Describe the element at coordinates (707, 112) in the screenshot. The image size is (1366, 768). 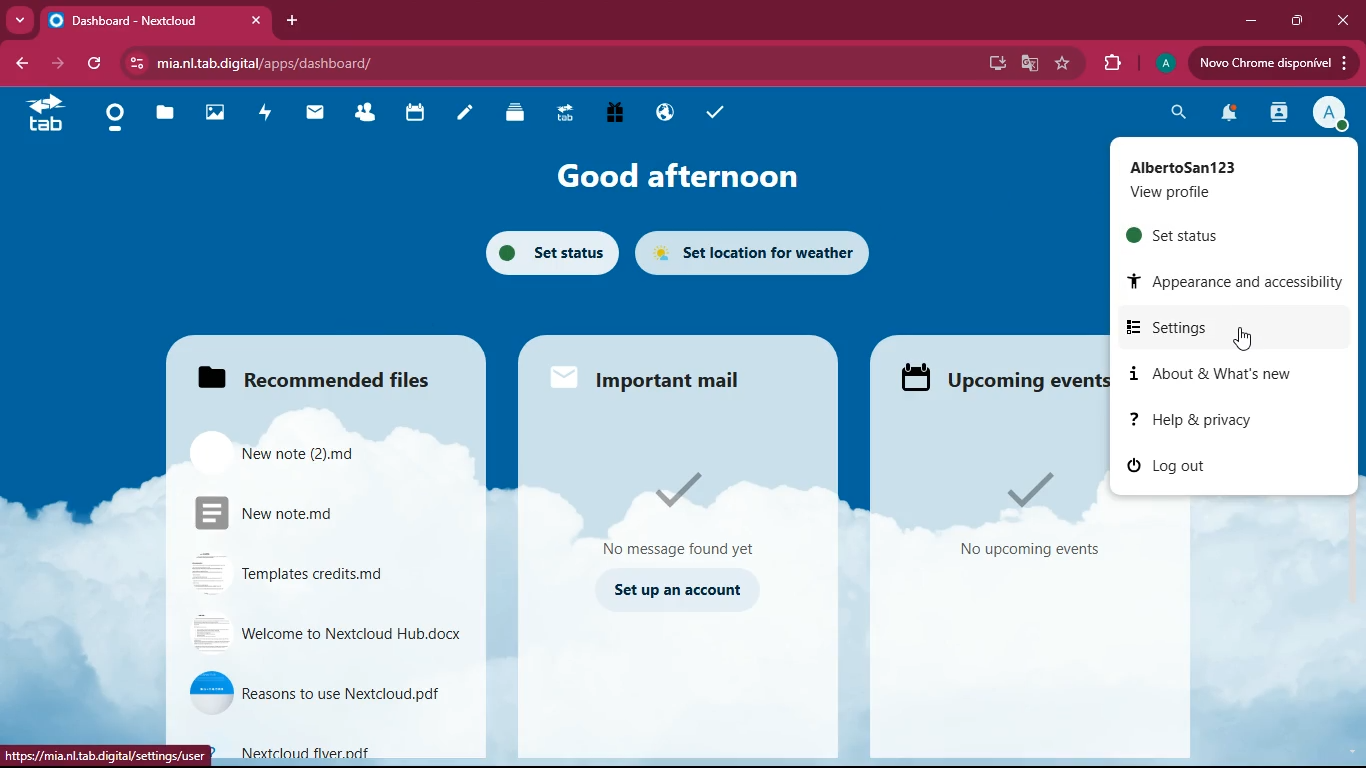
I see `tasks` at that location.